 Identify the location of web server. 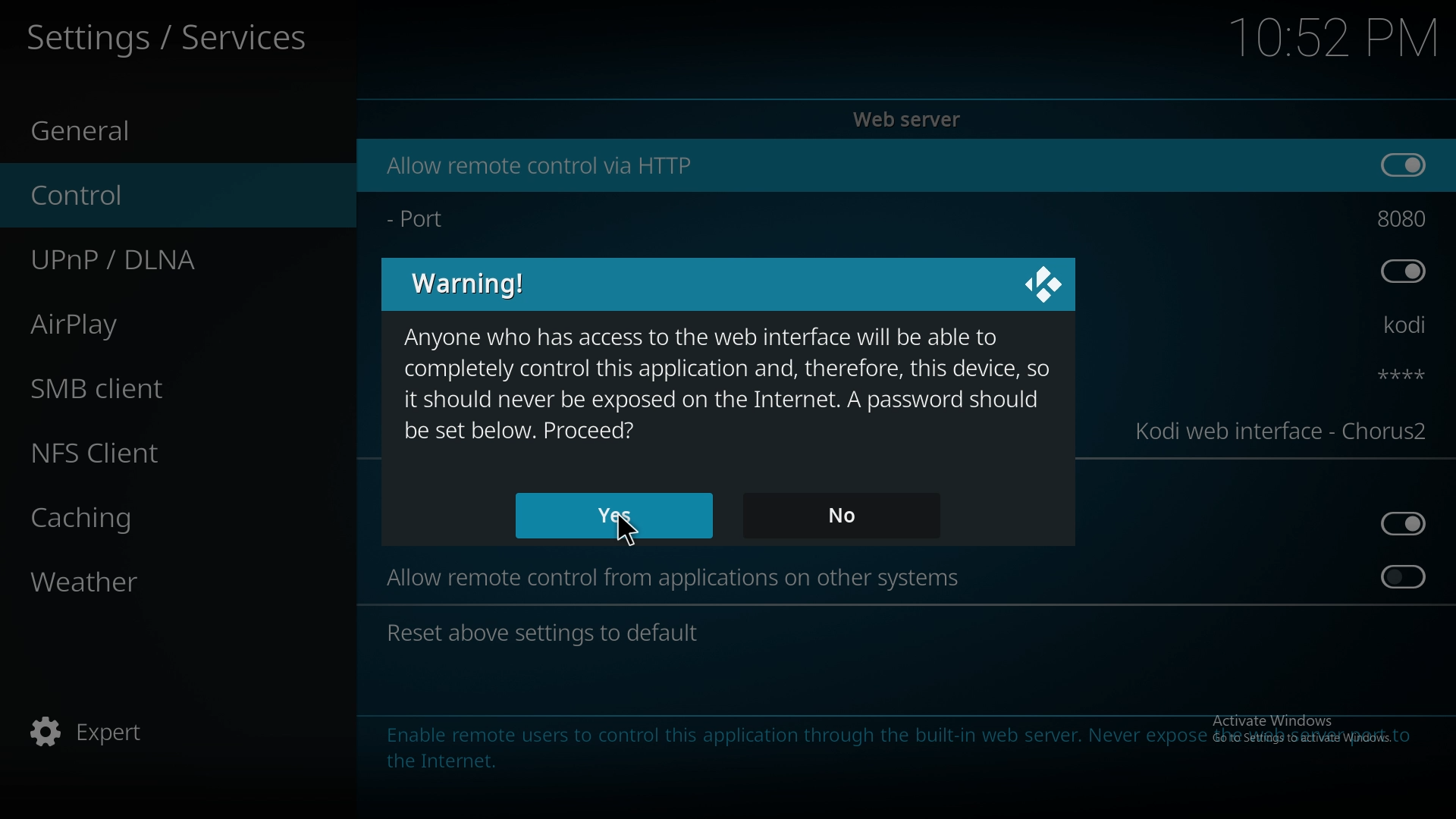
(912, 119).